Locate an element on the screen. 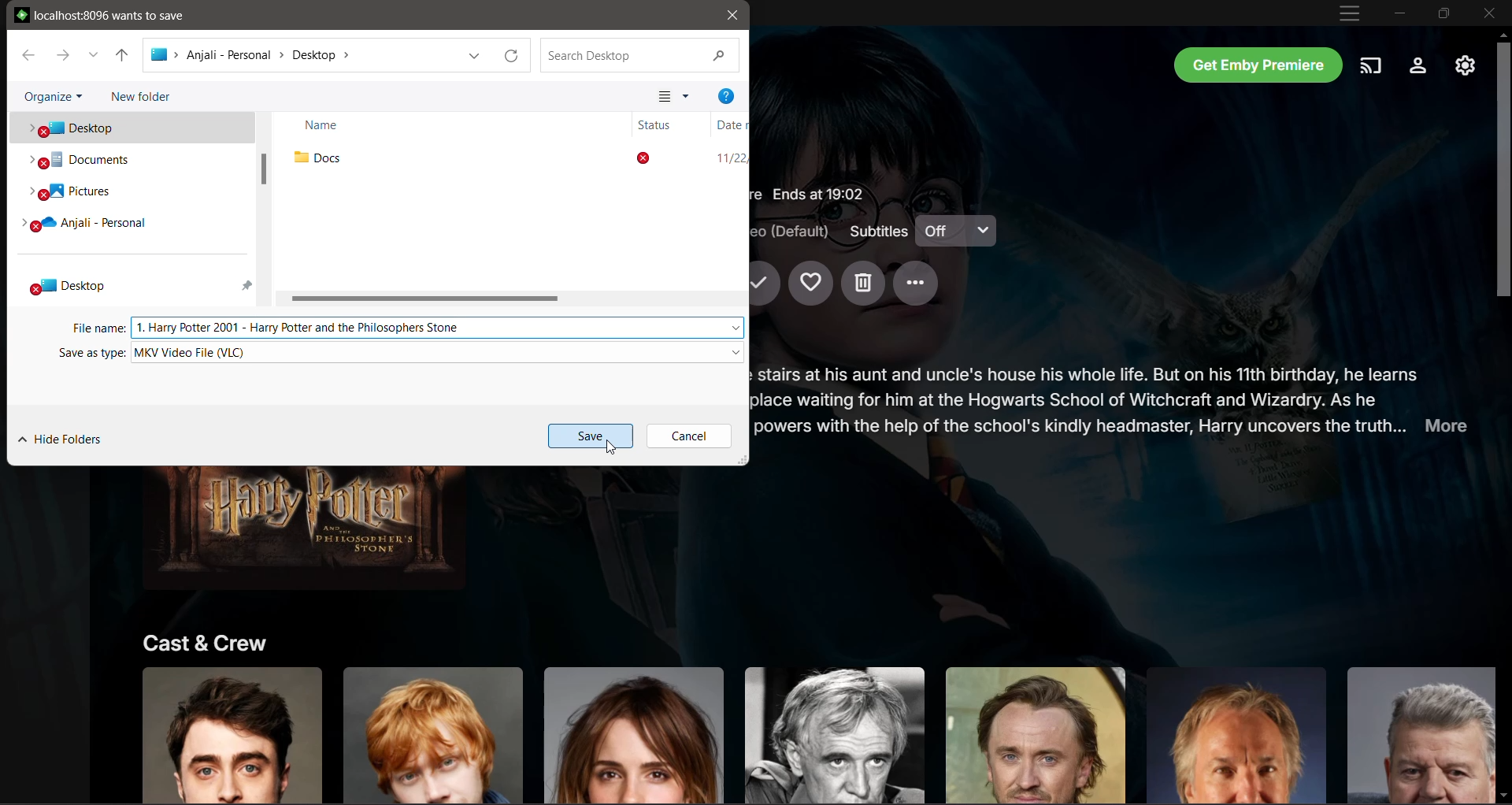 This screenshot has height=805, width=1512. Delete is located at coordinates (863, 284).